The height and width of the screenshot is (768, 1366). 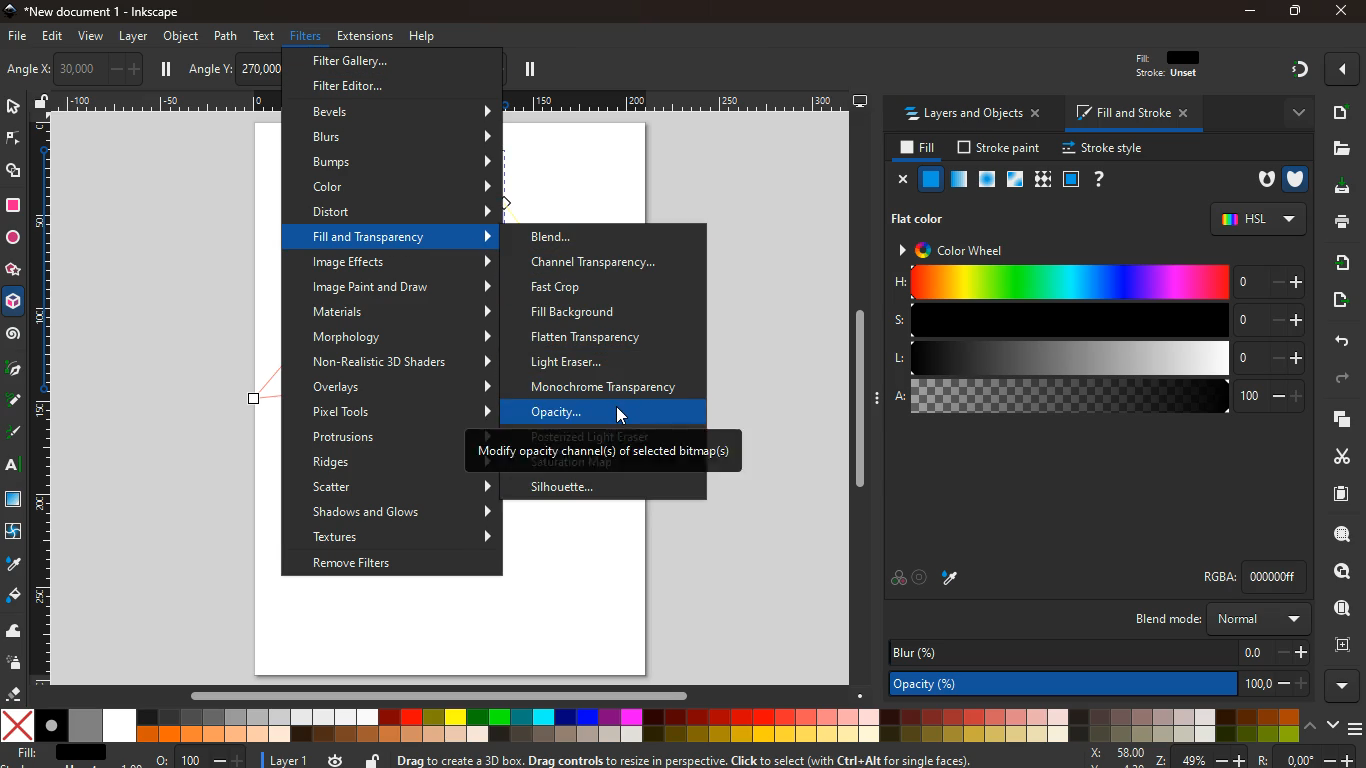 I want to click on Filter Editor, so click(x=352, y=85).